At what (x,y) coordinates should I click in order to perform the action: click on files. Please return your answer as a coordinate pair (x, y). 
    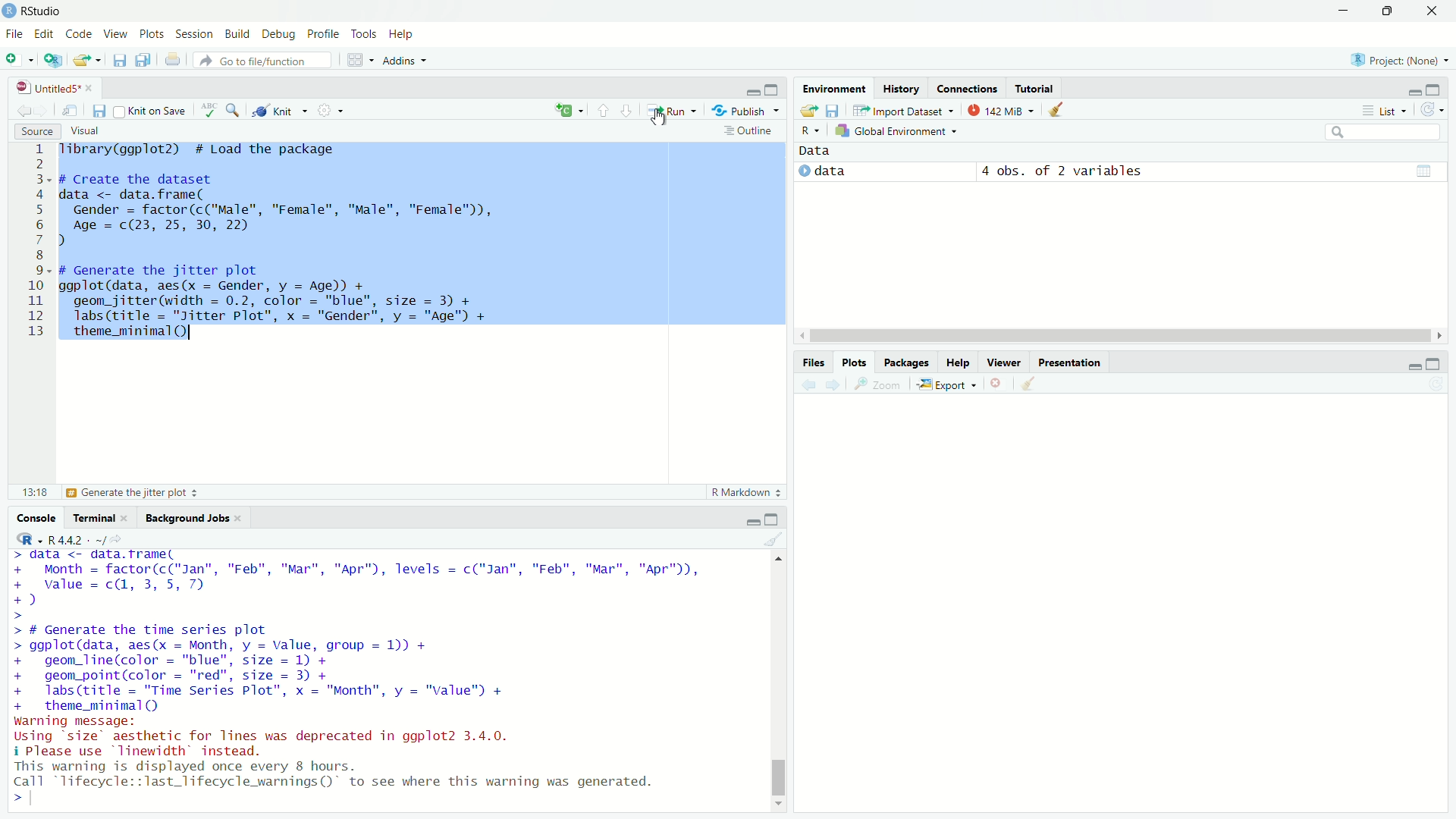
    Looking at the image, I should click on (814, 361).